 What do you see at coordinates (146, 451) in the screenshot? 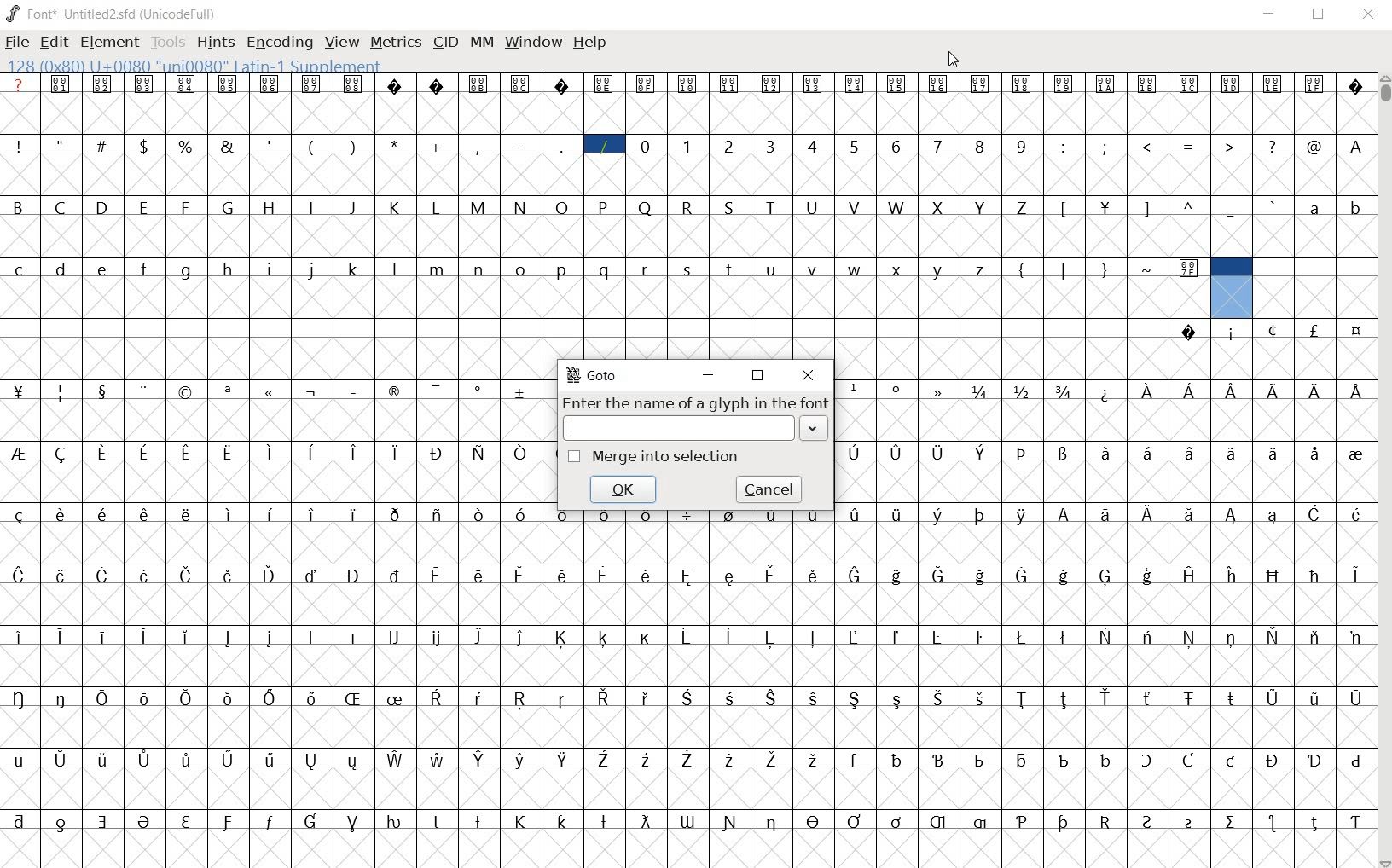
I see `Symbol` at bounding box center [146, 451].